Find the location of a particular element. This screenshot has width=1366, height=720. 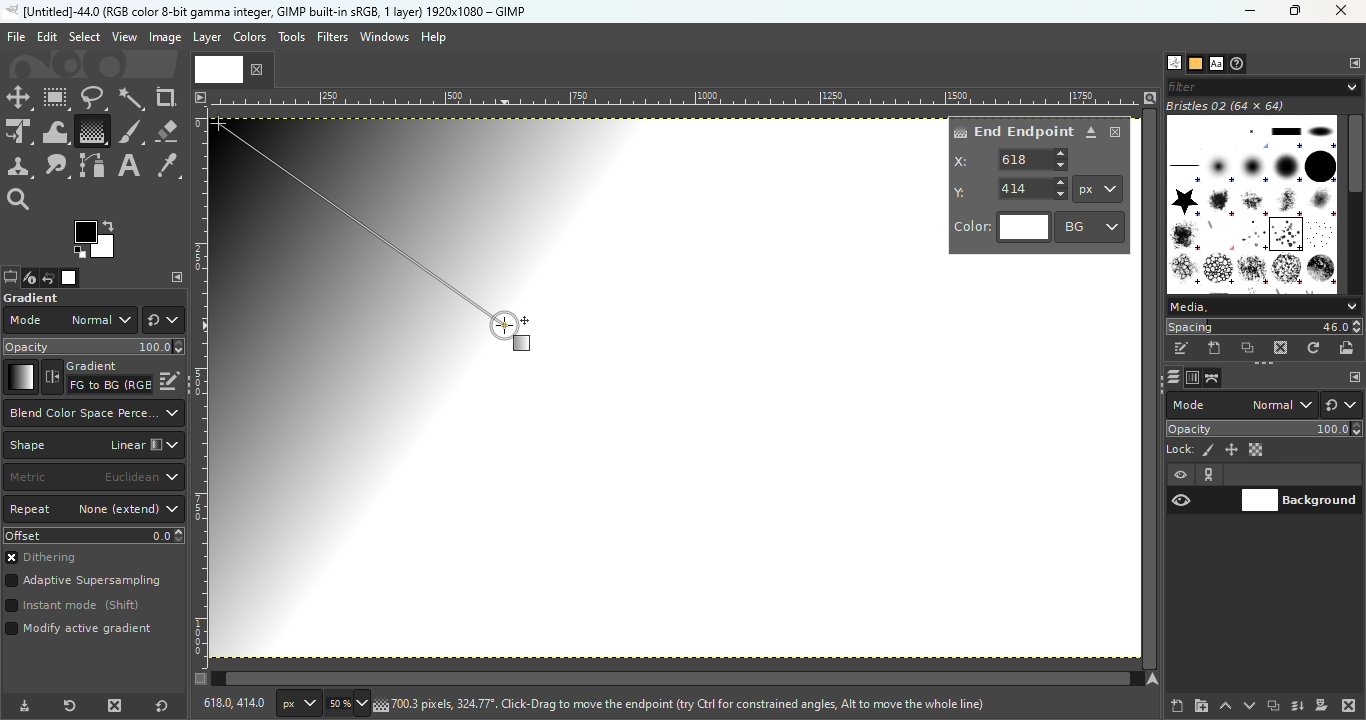

Lock alpha channel is located at coordinates (1258, 450).